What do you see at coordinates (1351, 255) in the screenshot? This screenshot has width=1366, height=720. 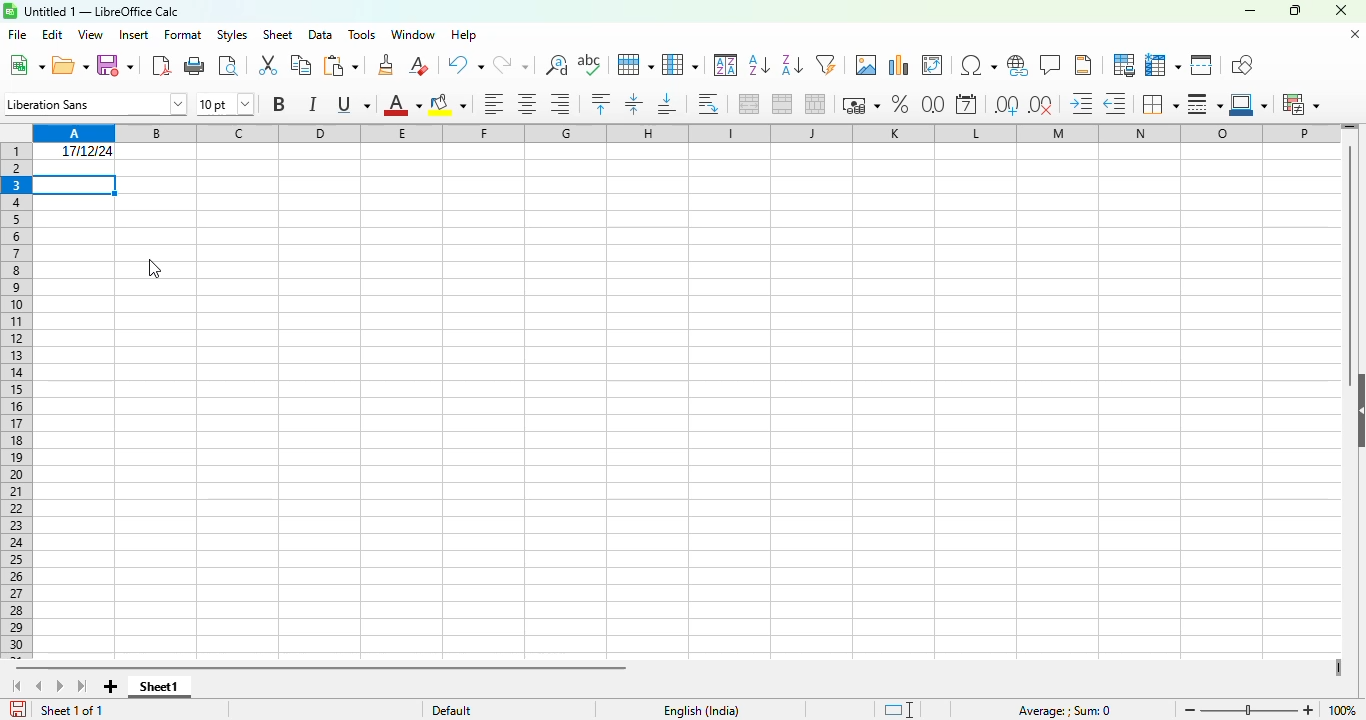 I see `vertical scroll bar` at bounding box center [1351, 255].